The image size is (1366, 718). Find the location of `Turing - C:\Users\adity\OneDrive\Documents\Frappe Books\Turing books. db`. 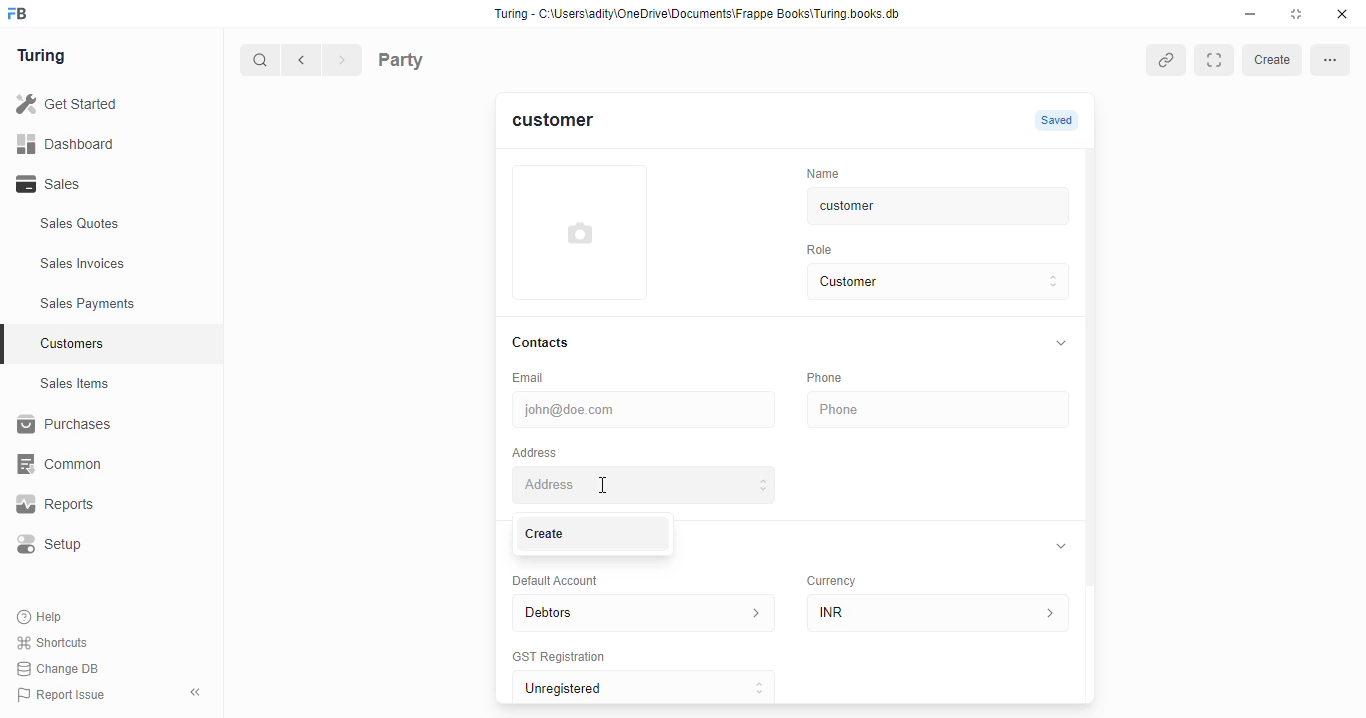

Turing - C:\Users\adity\OneDrive\Documents\Frappe Books\Turing books. db is located at coordinates (703, 16).